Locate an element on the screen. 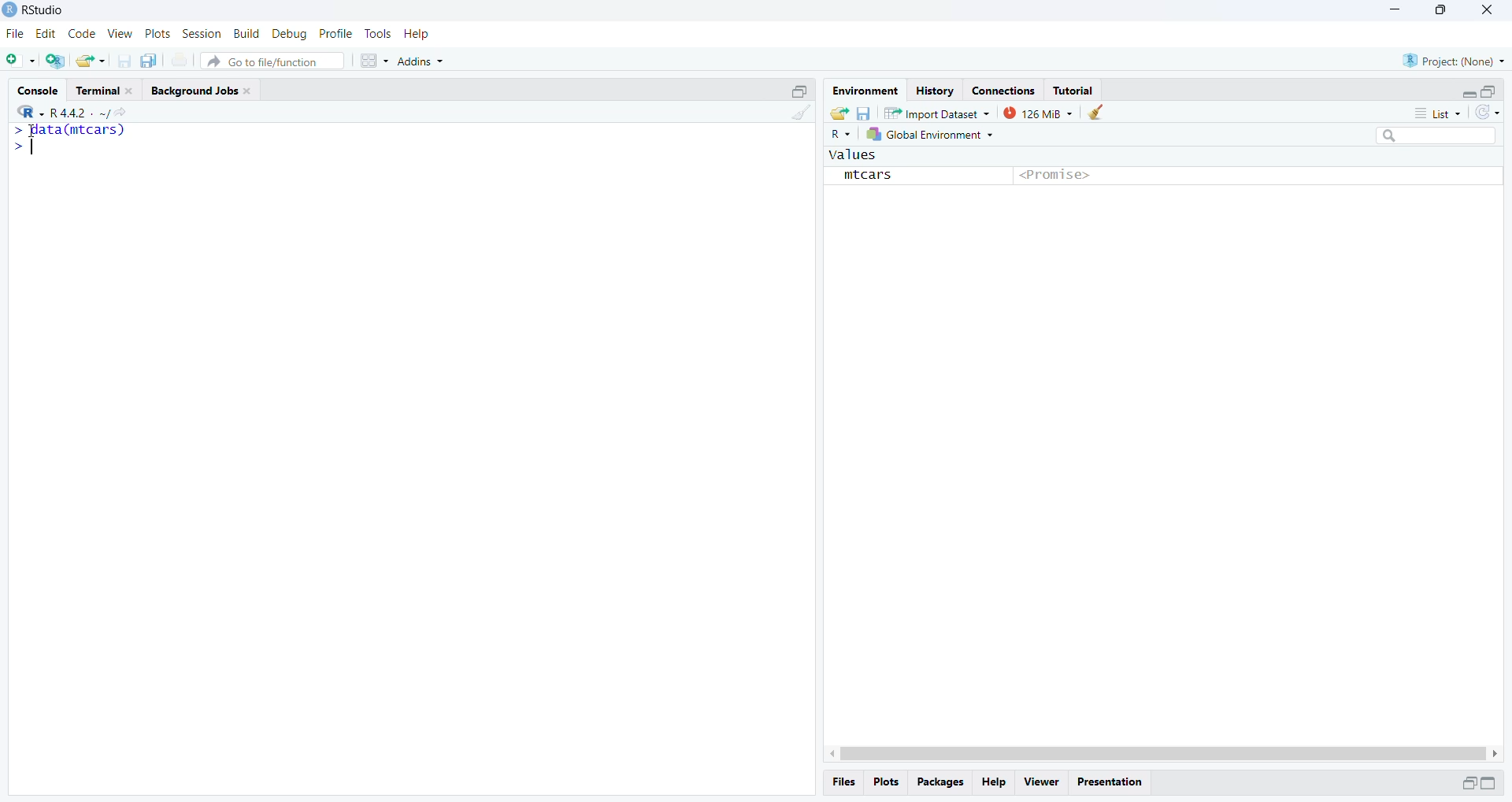 The height and width of the screenshot is (802, 1512). packages is located at coordinates (939, 783).